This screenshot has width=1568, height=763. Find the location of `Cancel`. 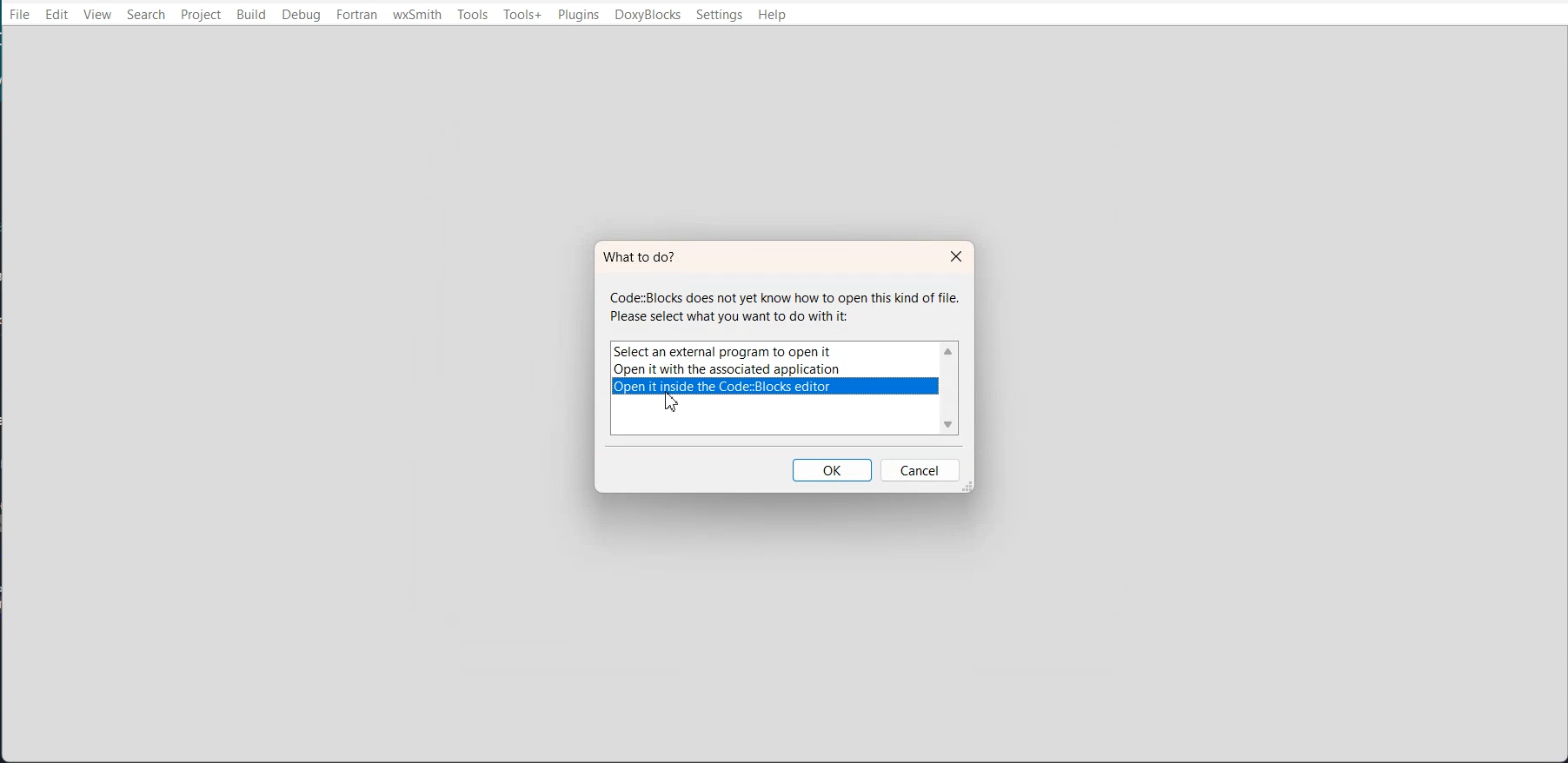

Cancel is located at coordinates (923, 470).